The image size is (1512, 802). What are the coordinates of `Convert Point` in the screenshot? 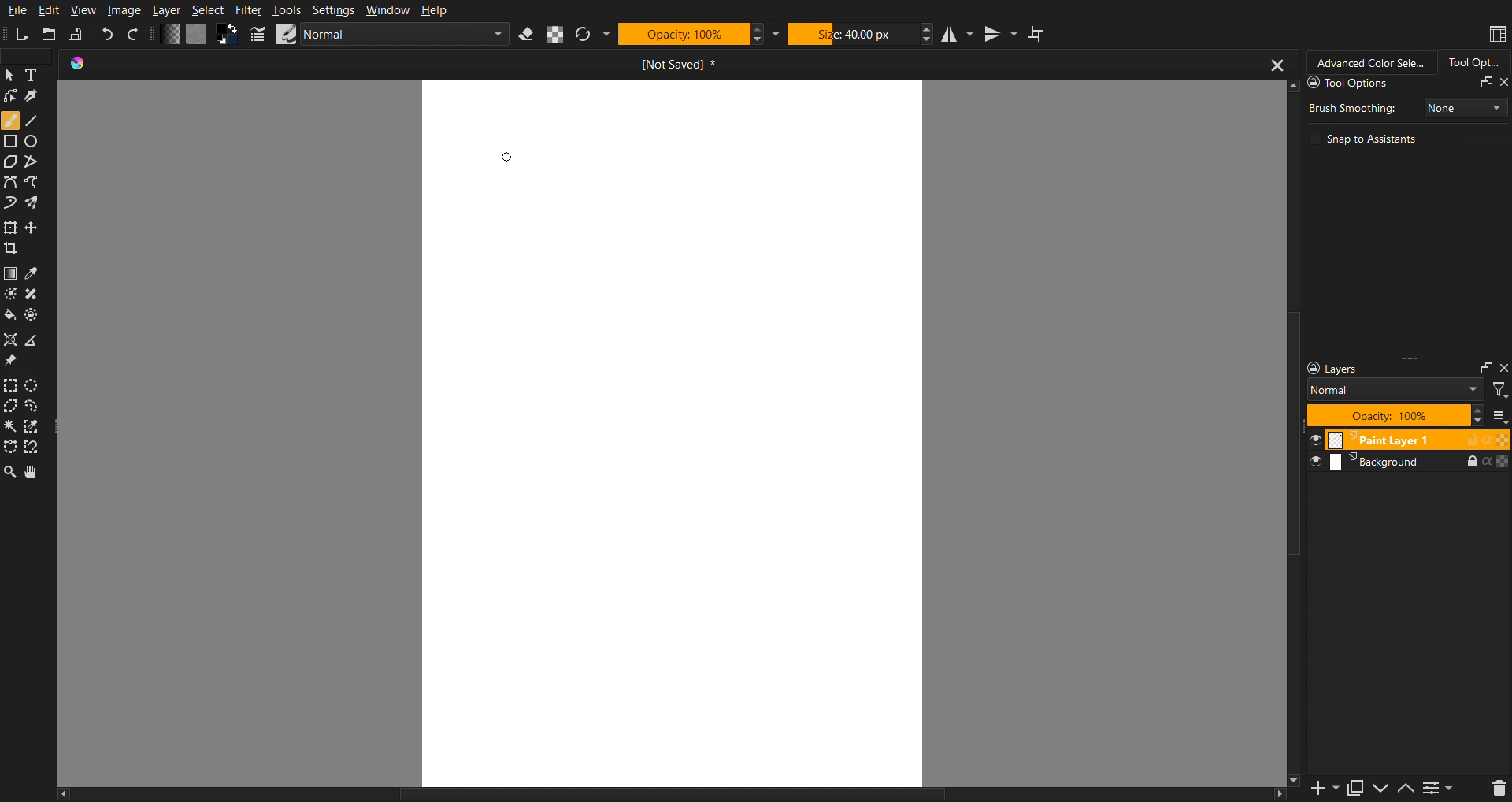 It's located at (38, 340).